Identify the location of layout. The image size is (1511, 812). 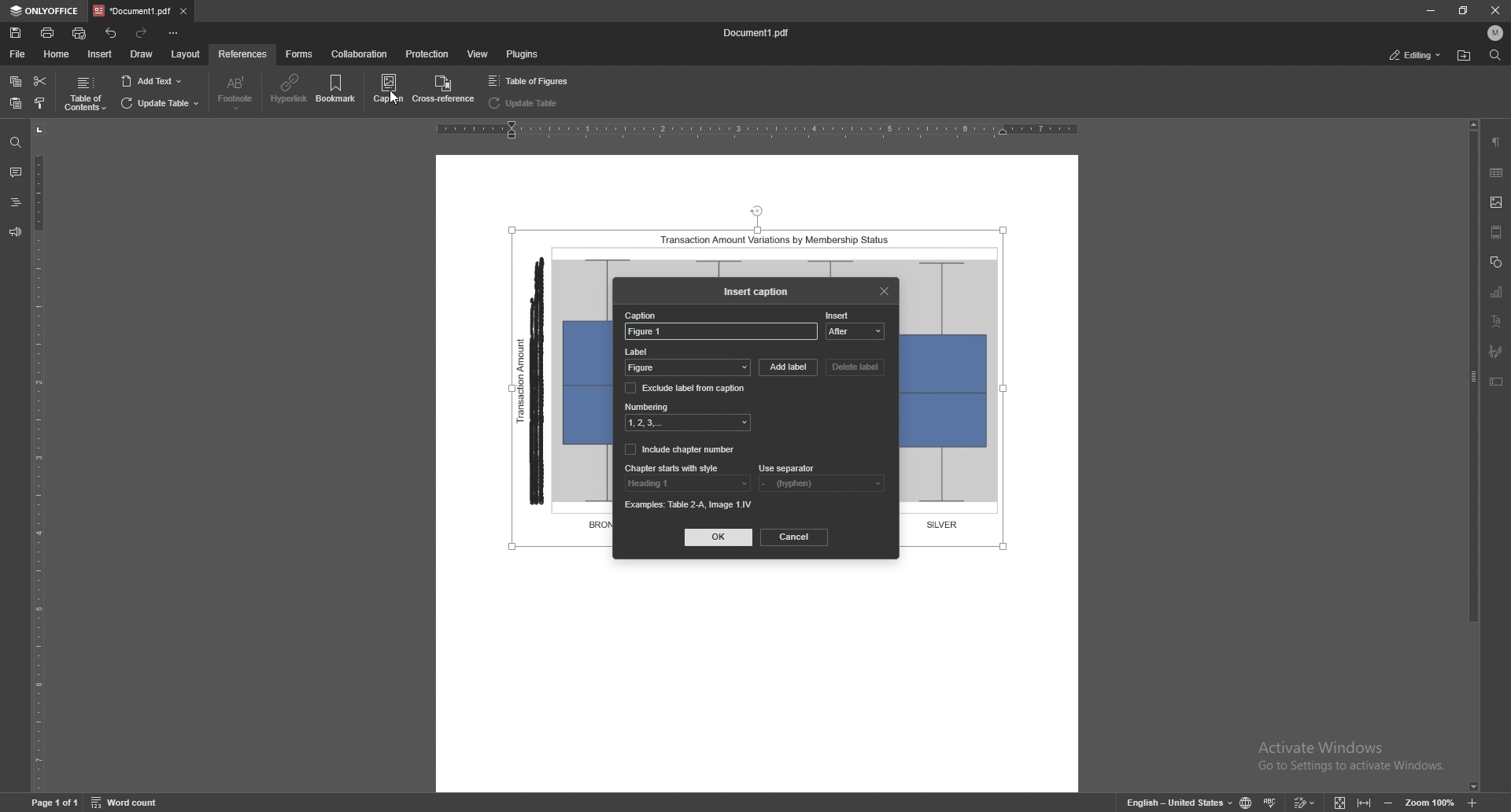
(187, 54).